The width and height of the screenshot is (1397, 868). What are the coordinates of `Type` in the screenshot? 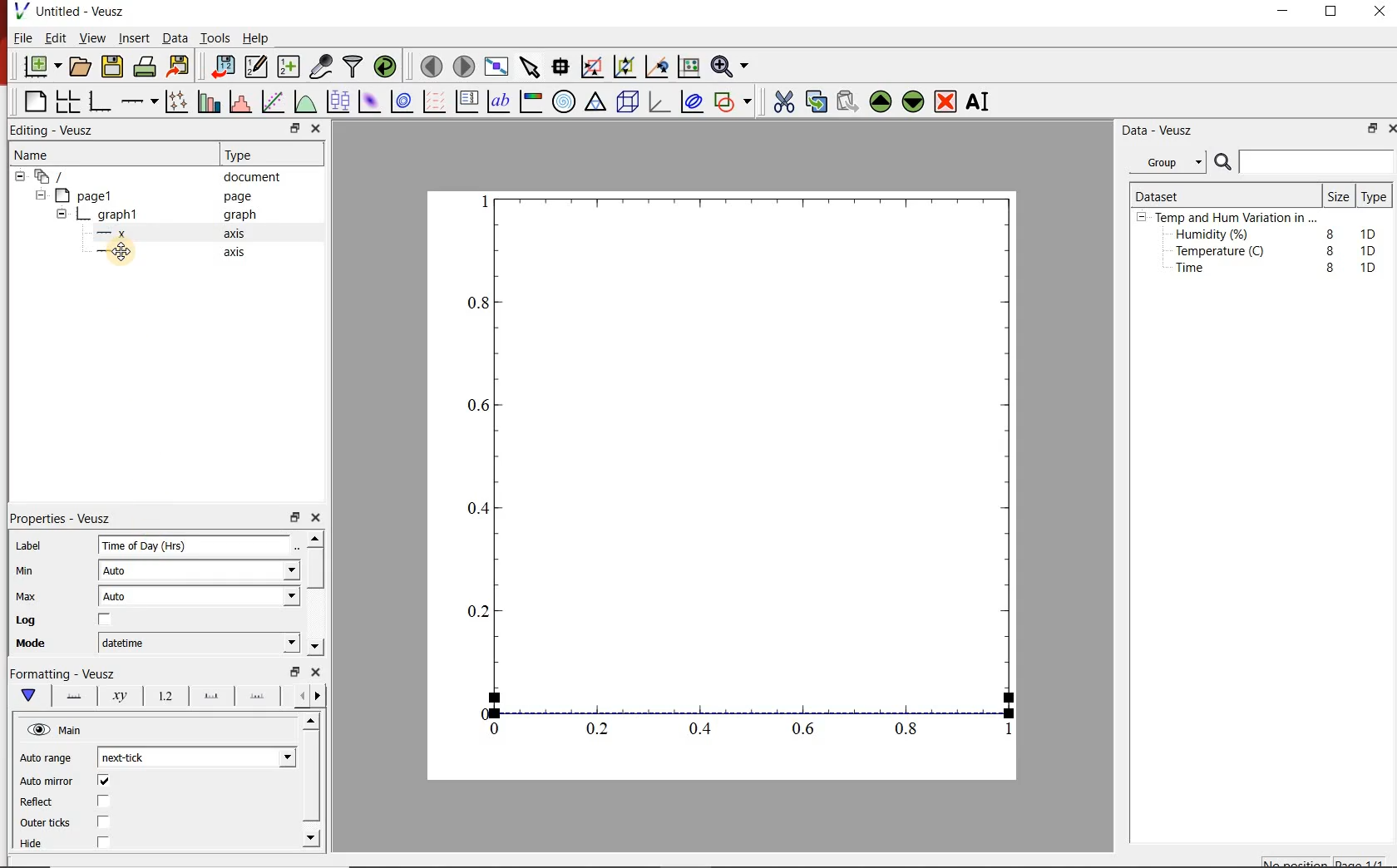 It's located at (1375, 198).